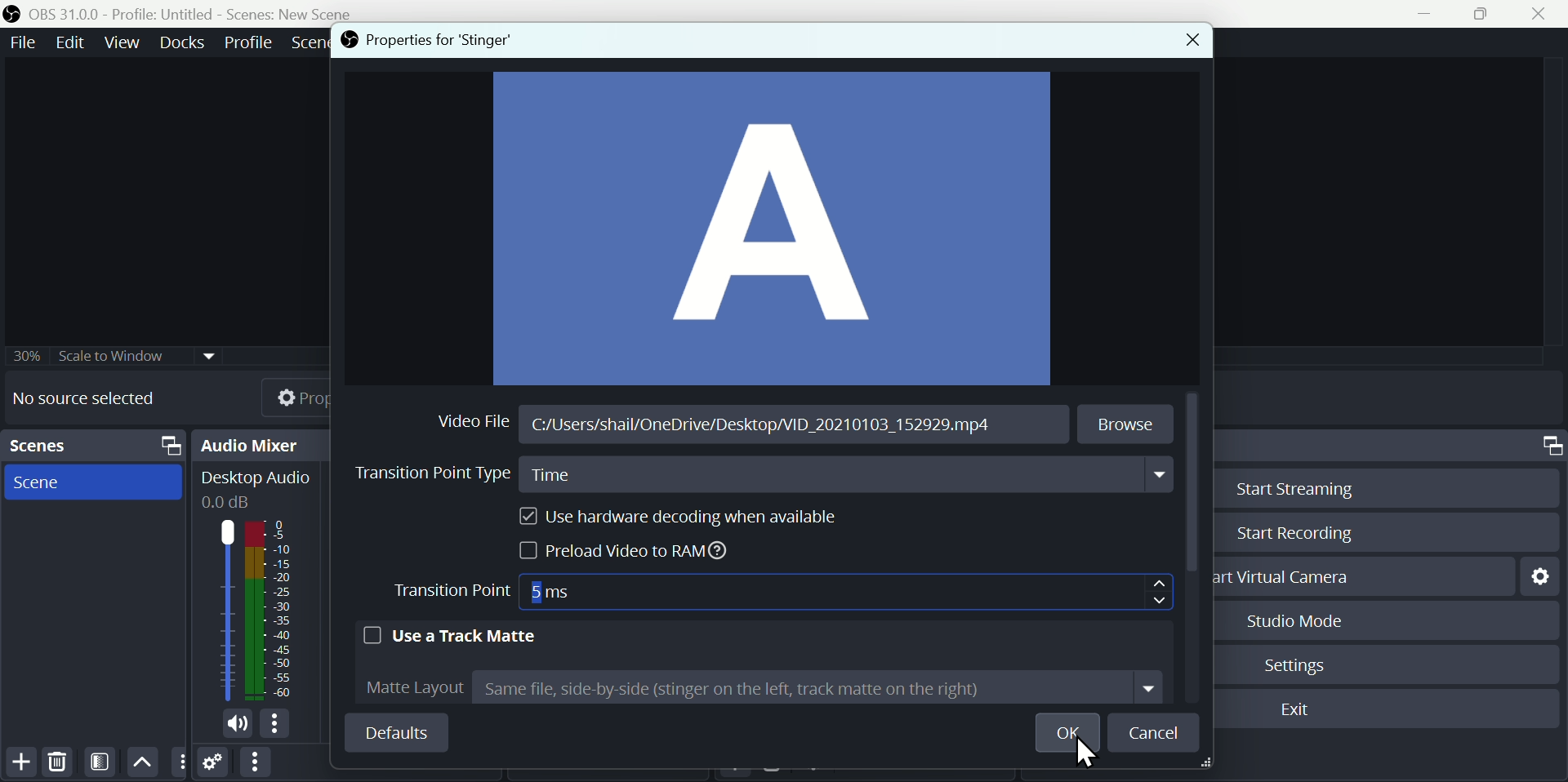 This screenshot has width=1568, height=782. Describe the element at coordinates (571, 589) in the screenshot. I see `5MS` at that location.